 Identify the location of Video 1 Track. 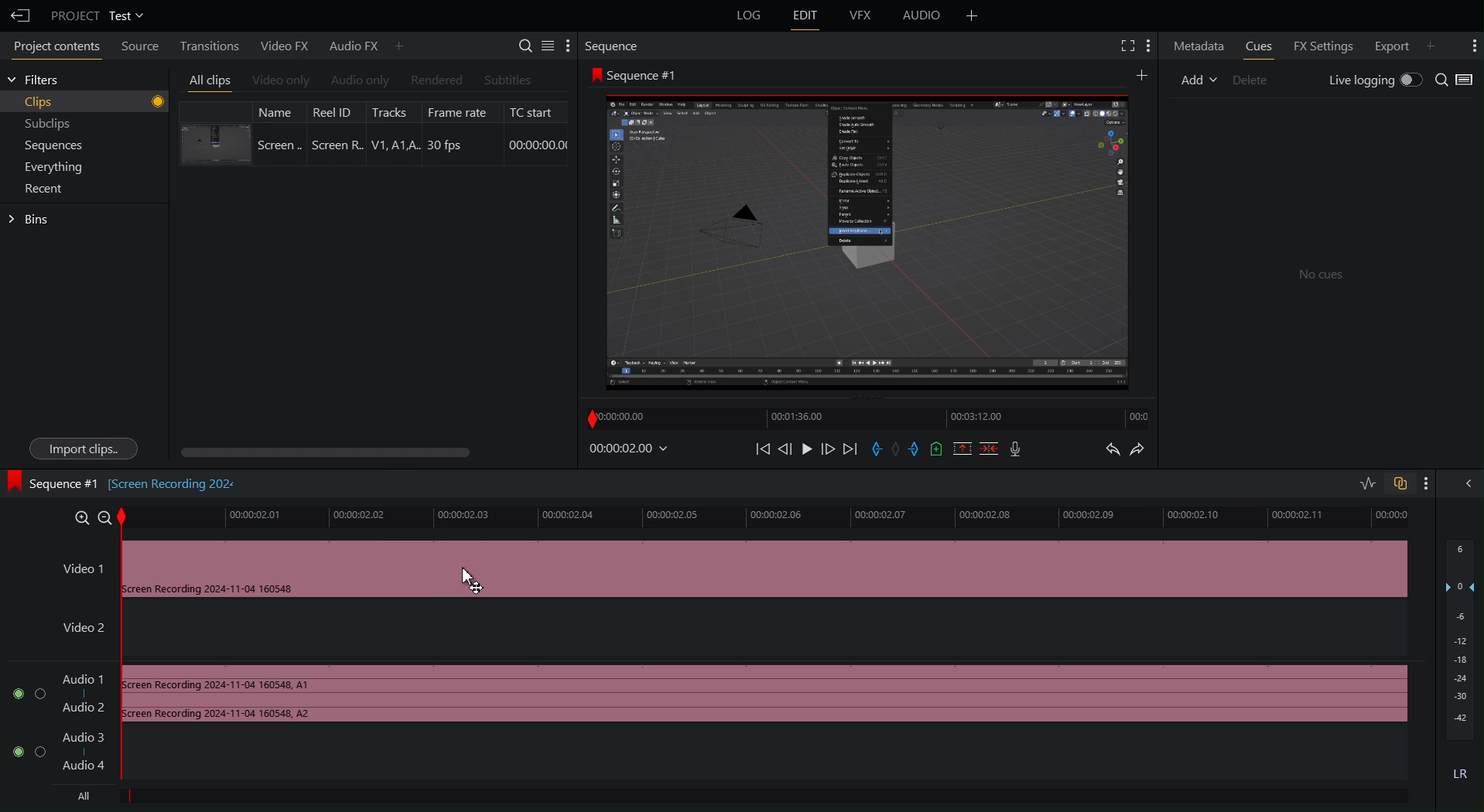
(730, 565).